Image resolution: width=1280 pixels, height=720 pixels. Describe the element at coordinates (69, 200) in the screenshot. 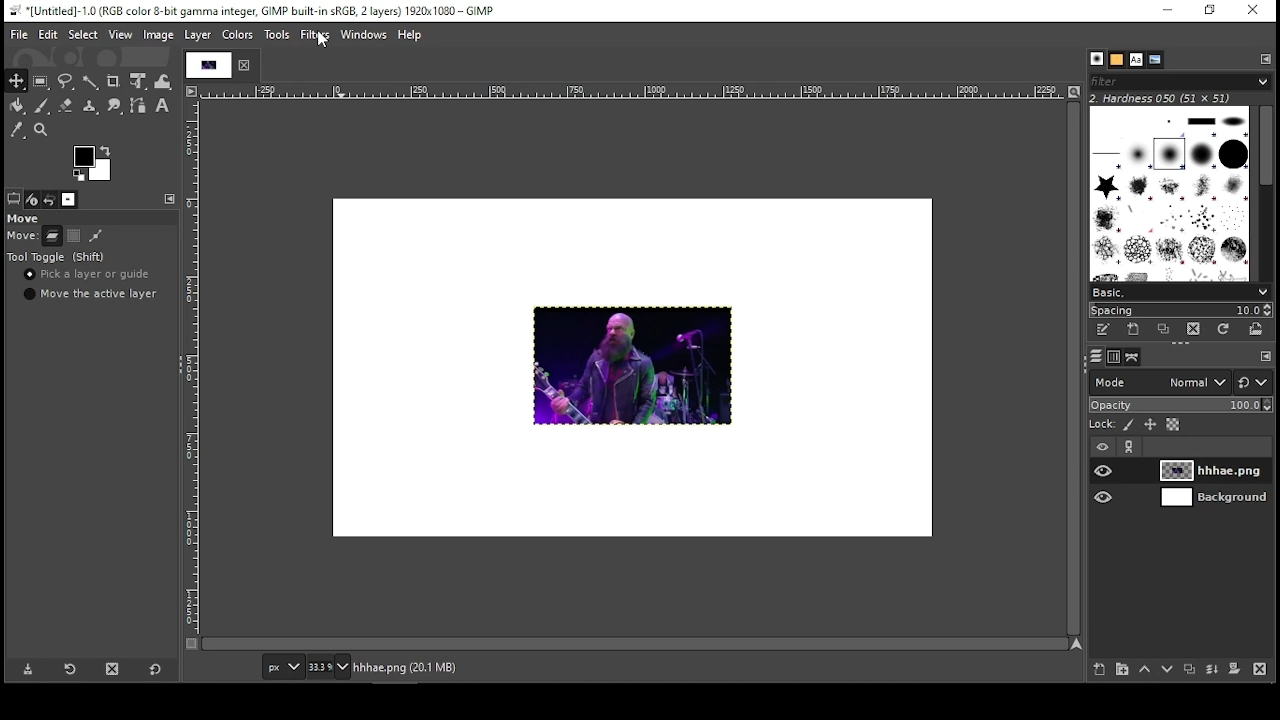

I see `images` at that location.